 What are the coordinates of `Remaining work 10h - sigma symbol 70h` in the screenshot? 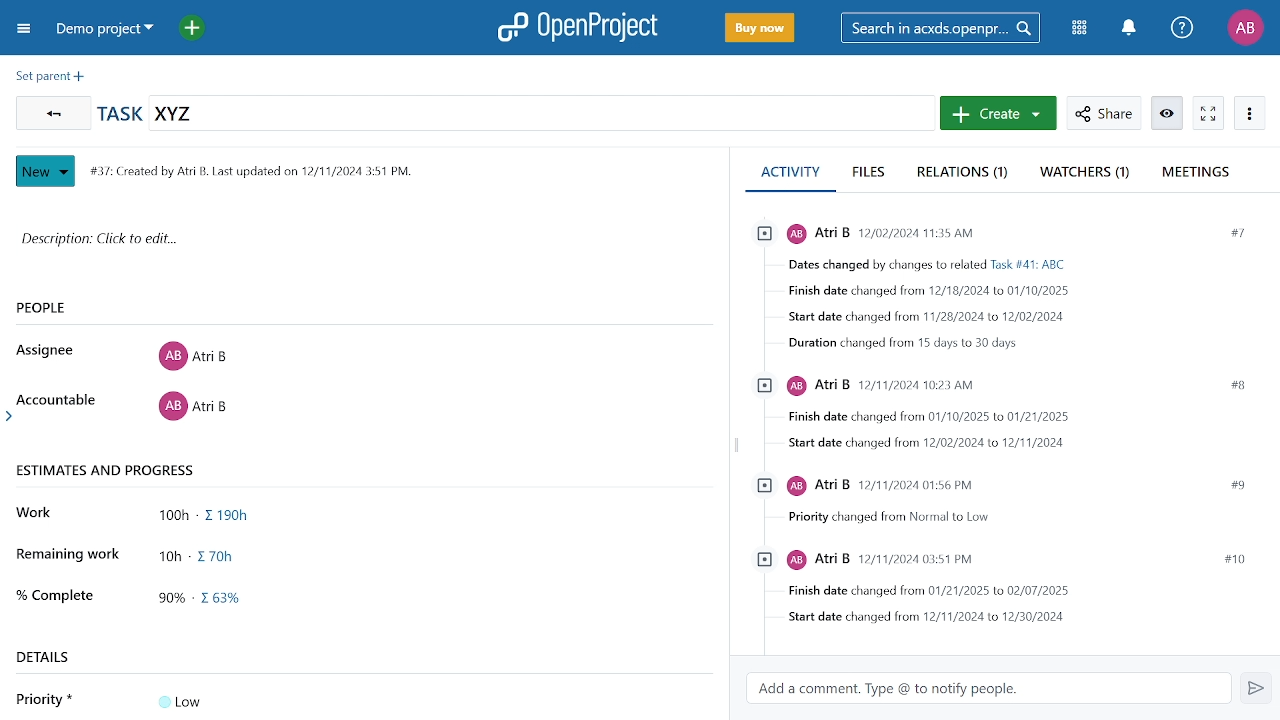 It's located at (151, 558).